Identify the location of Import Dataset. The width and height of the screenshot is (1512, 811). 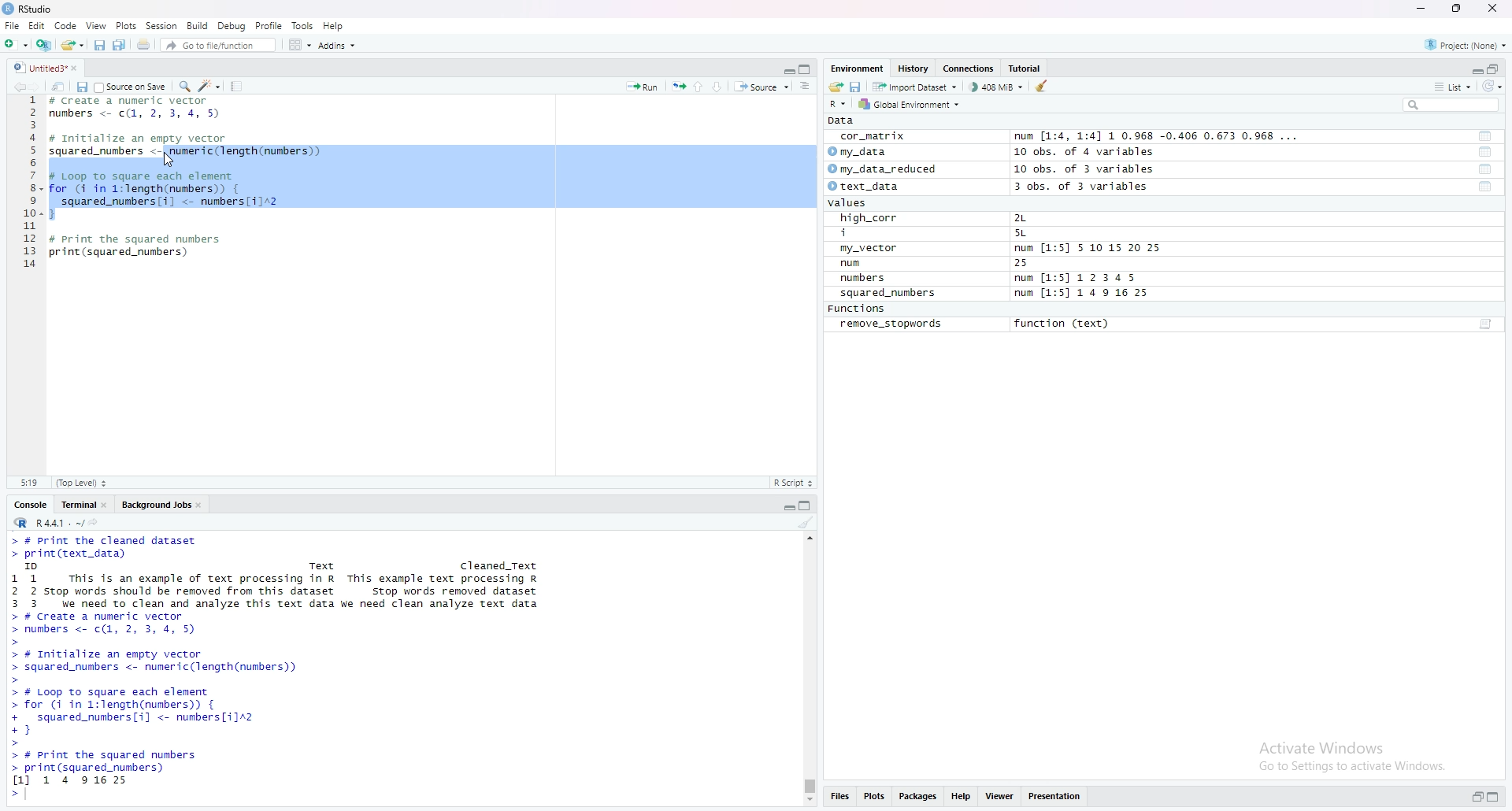
(914, 86).